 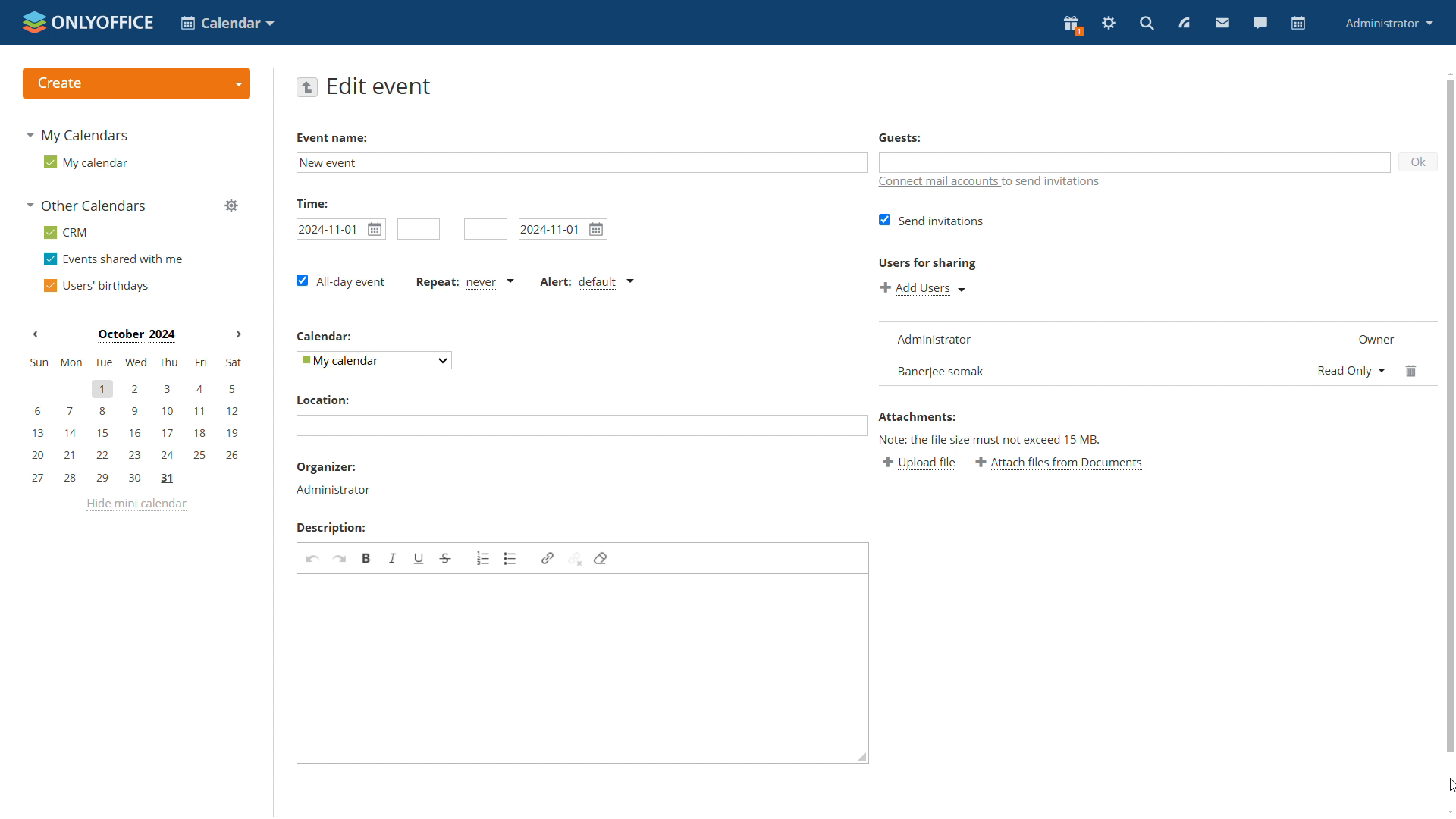 What do you see at coordinates (511, 560) in the screenshot?
I see `insert/remove bulletted list` at bounding box center [511, 560].